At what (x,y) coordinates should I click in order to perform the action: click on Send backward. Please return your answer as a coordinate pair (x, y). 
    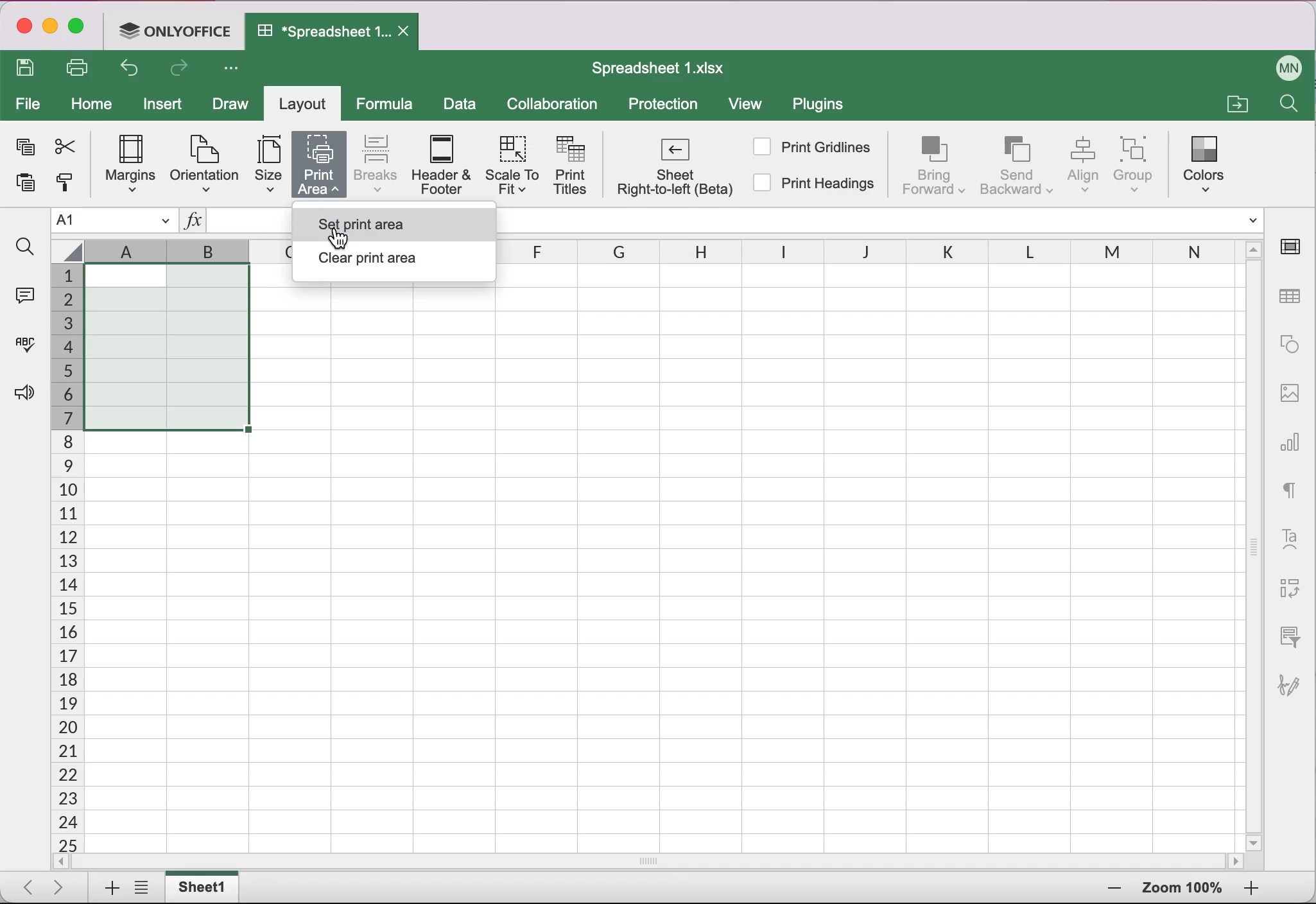
    Looking at the image, I should click on (1017, 164).